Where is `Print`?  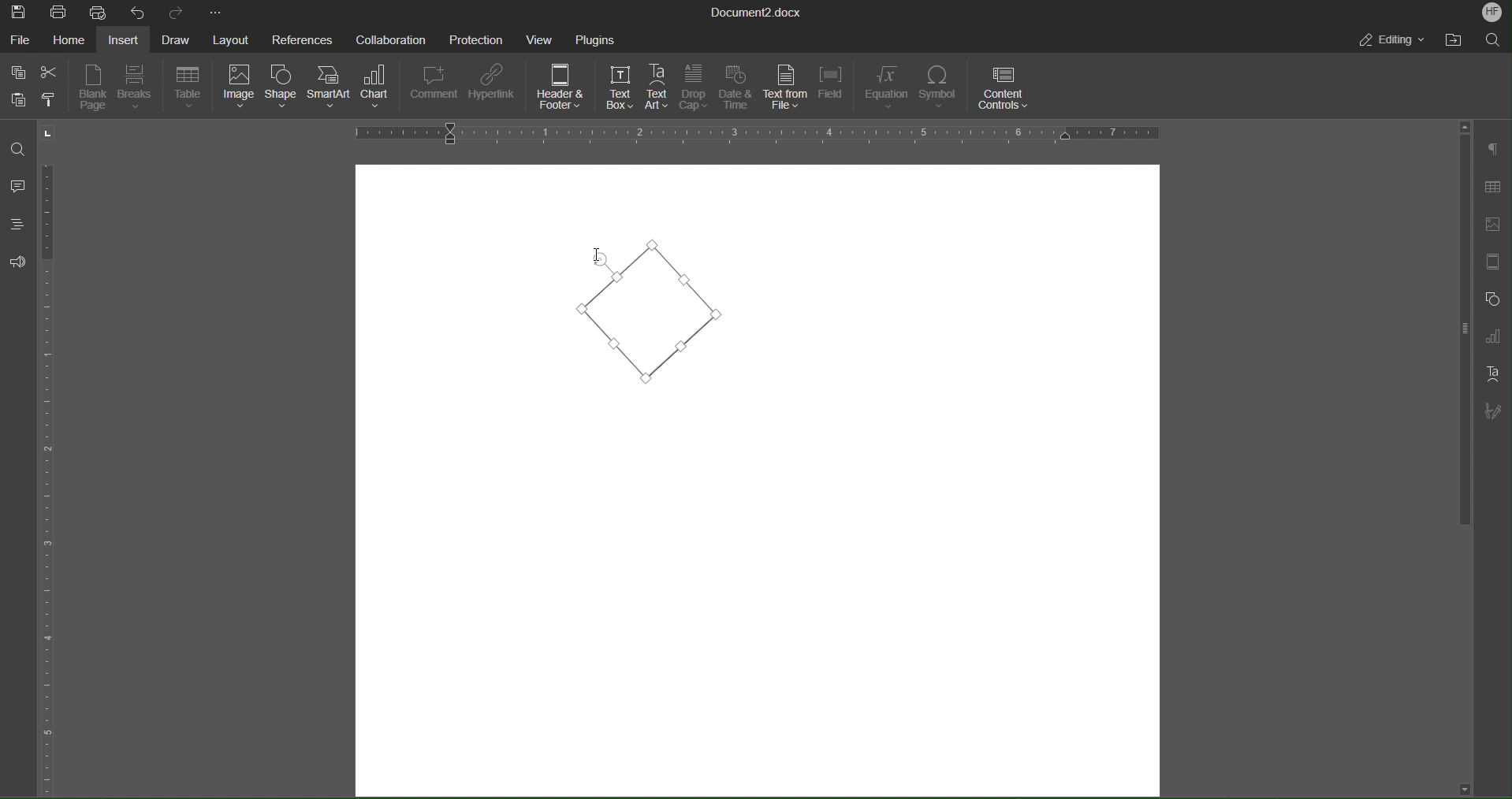
Print is located at coordinates (60, 11).